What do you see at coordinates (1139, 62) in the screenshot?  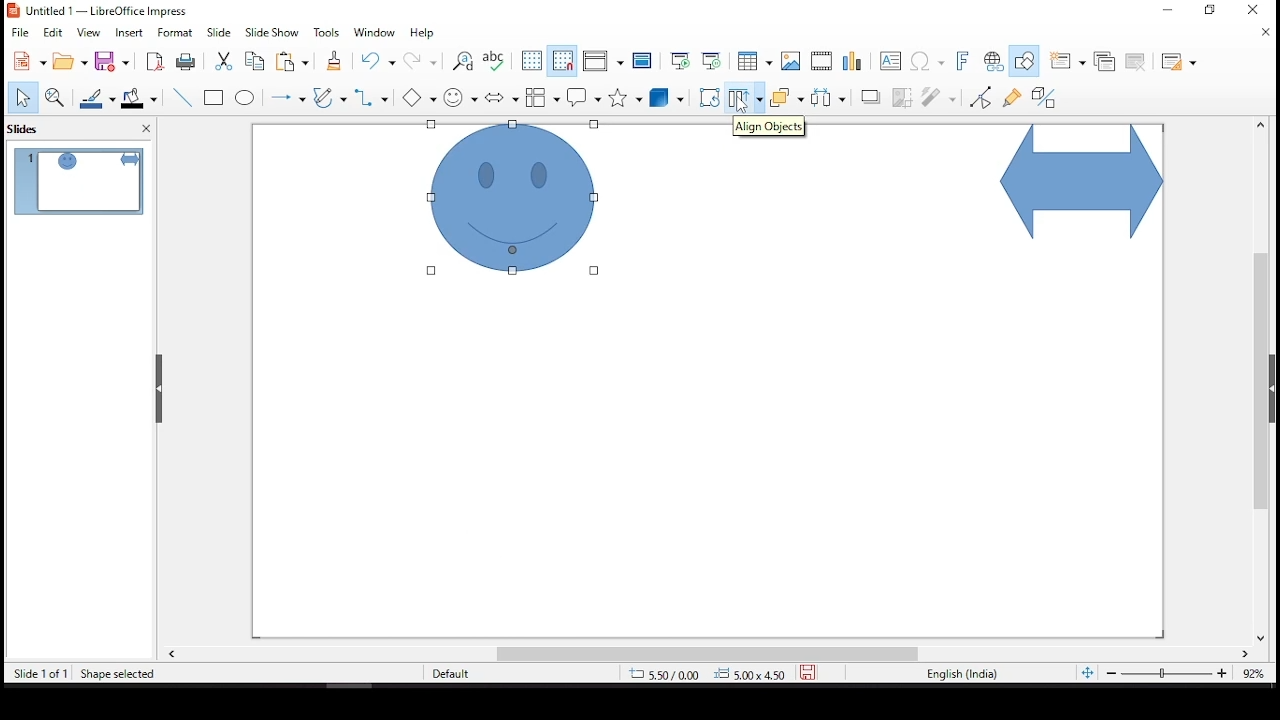 I see `delete slide` at bounding box center [1139, 62].